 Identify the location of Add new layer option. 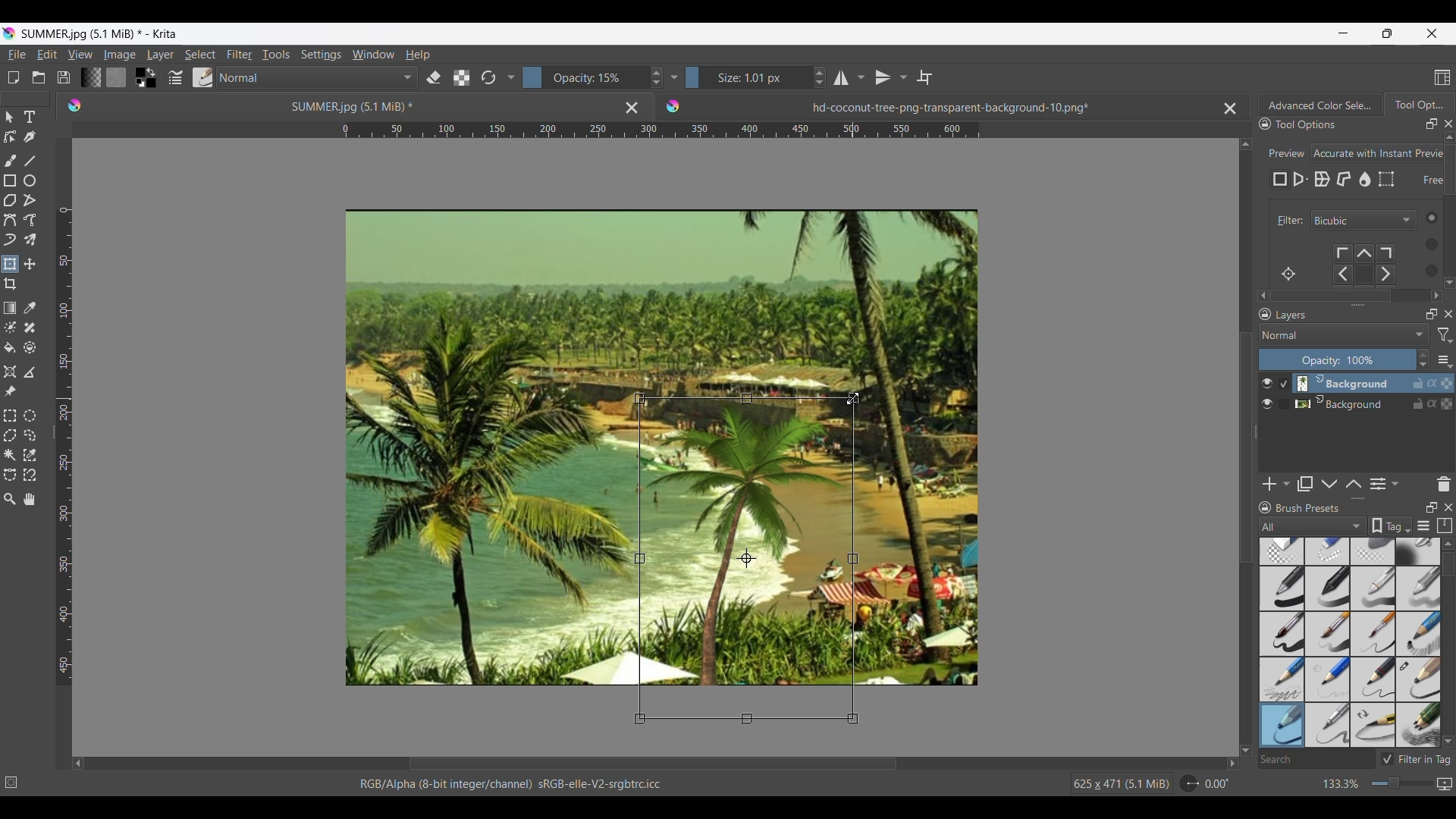
(1285, 484).